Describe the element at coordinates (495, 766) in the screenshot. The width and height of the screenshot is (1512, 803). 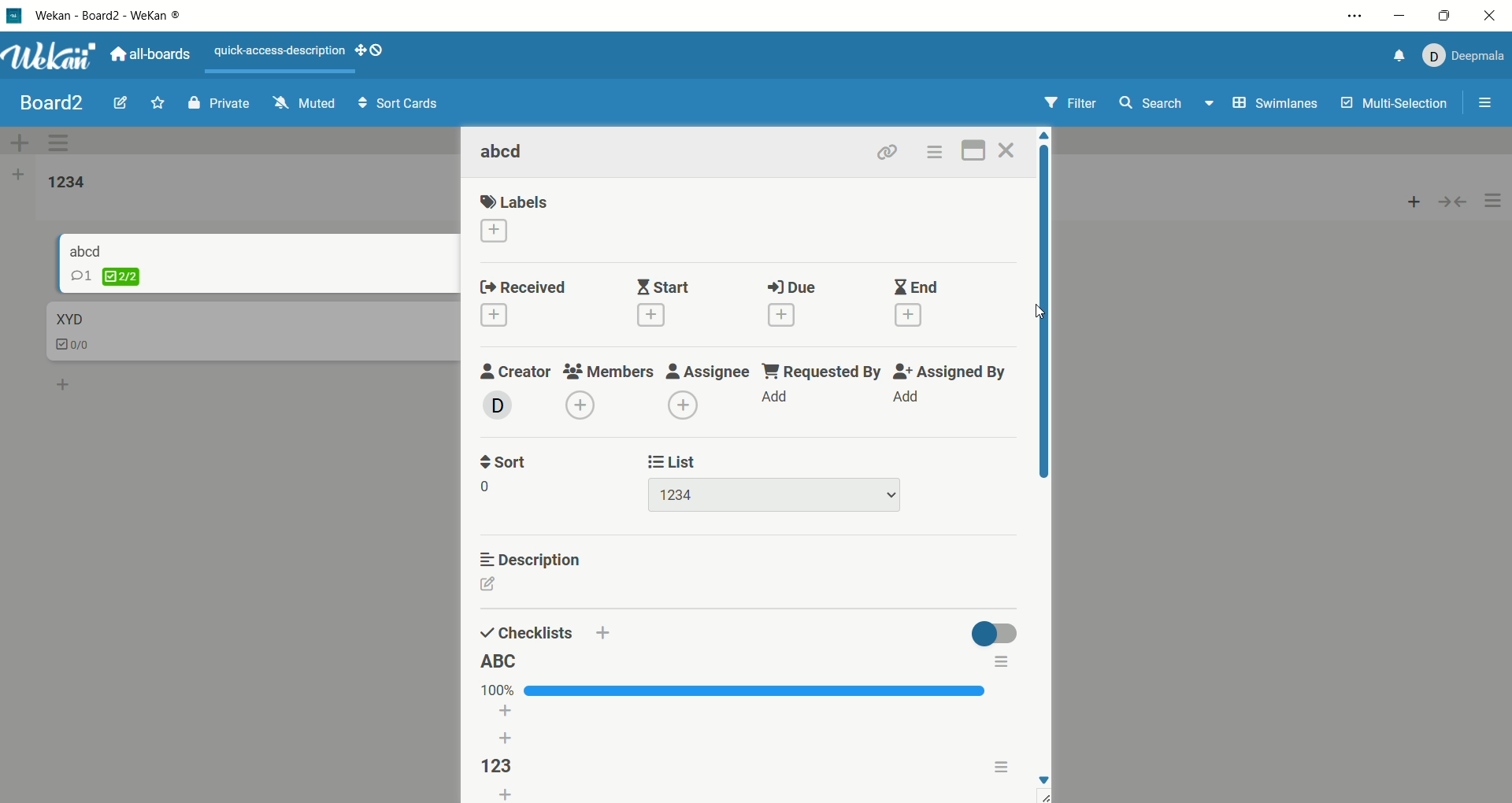
I see `checklist title` at that location.